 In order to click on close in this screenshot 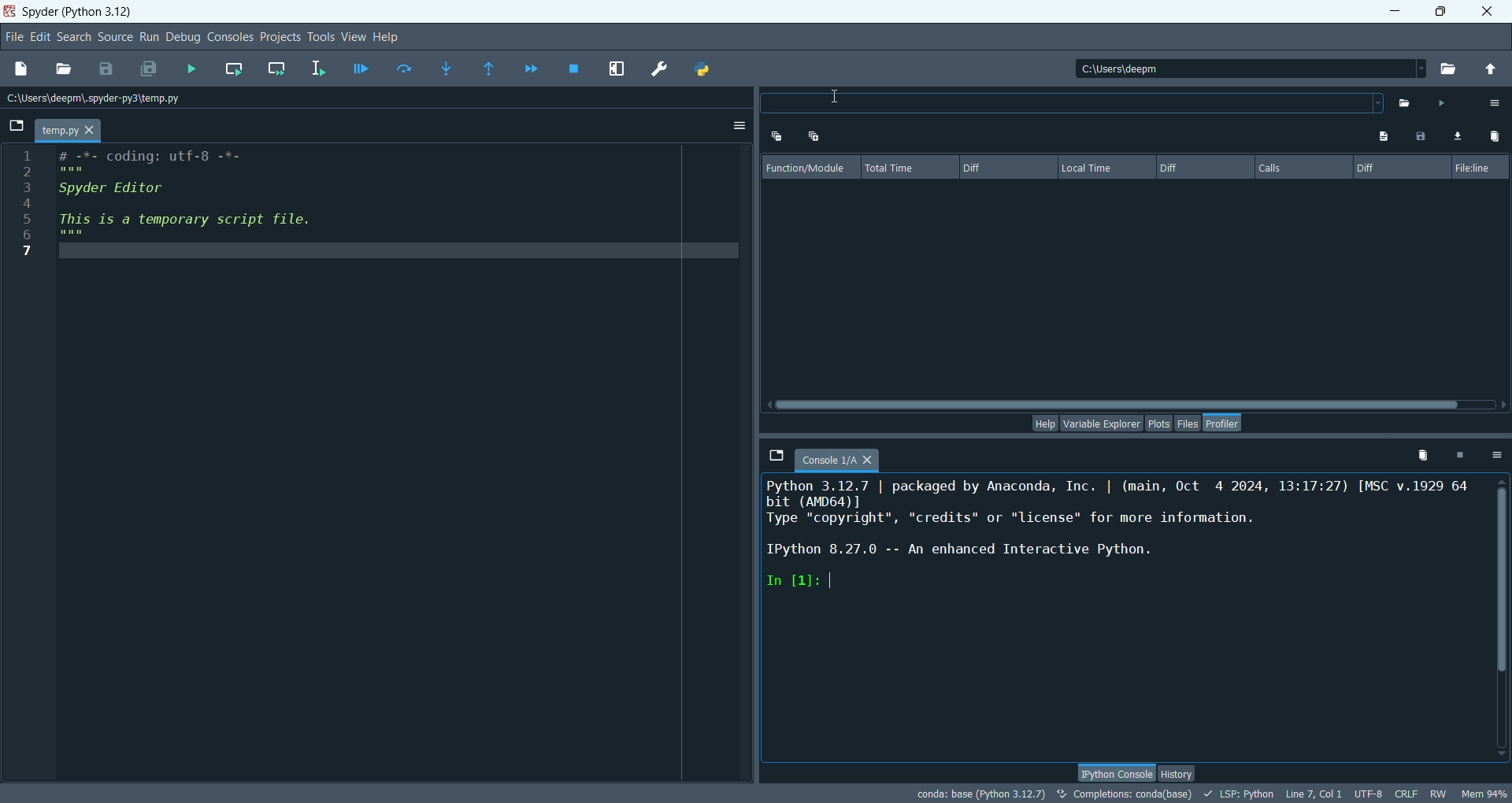, I will do `click(1489, 10)`.